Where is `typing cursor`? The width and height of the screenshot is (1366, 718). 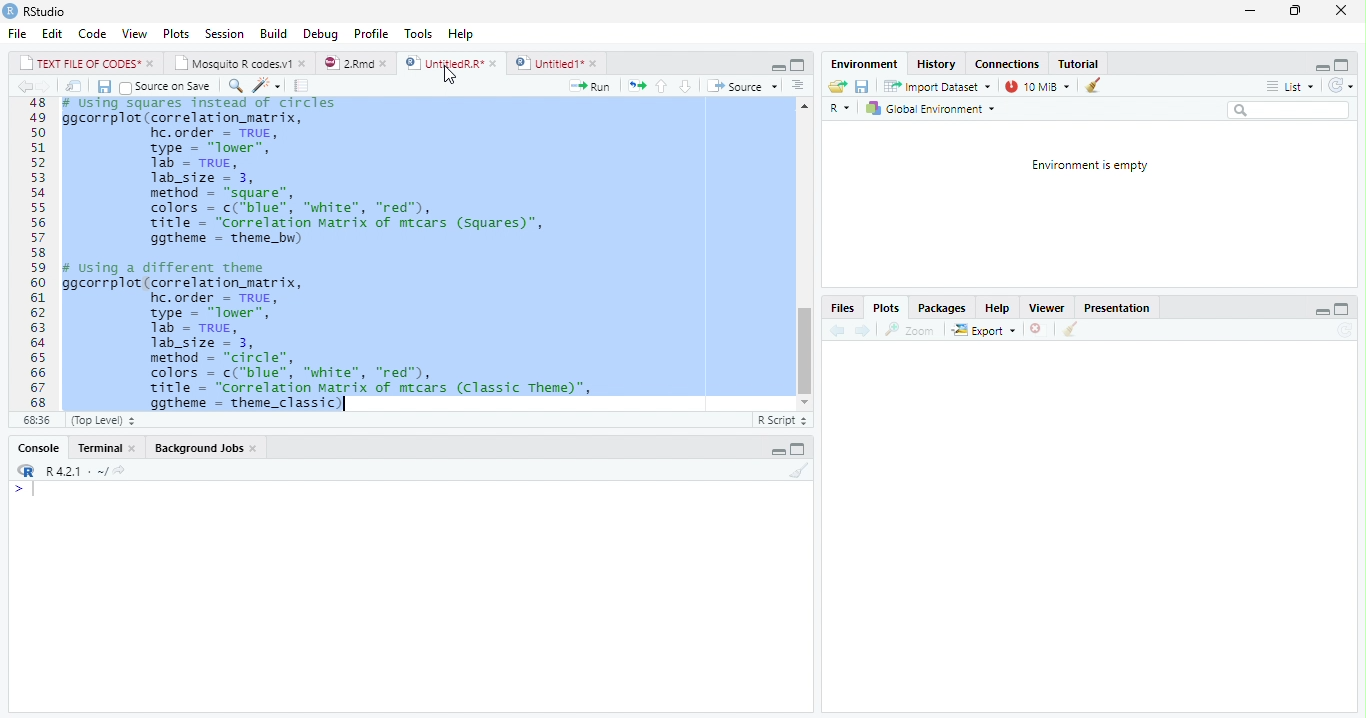
typing cursor is located at coordinates (26, 492).